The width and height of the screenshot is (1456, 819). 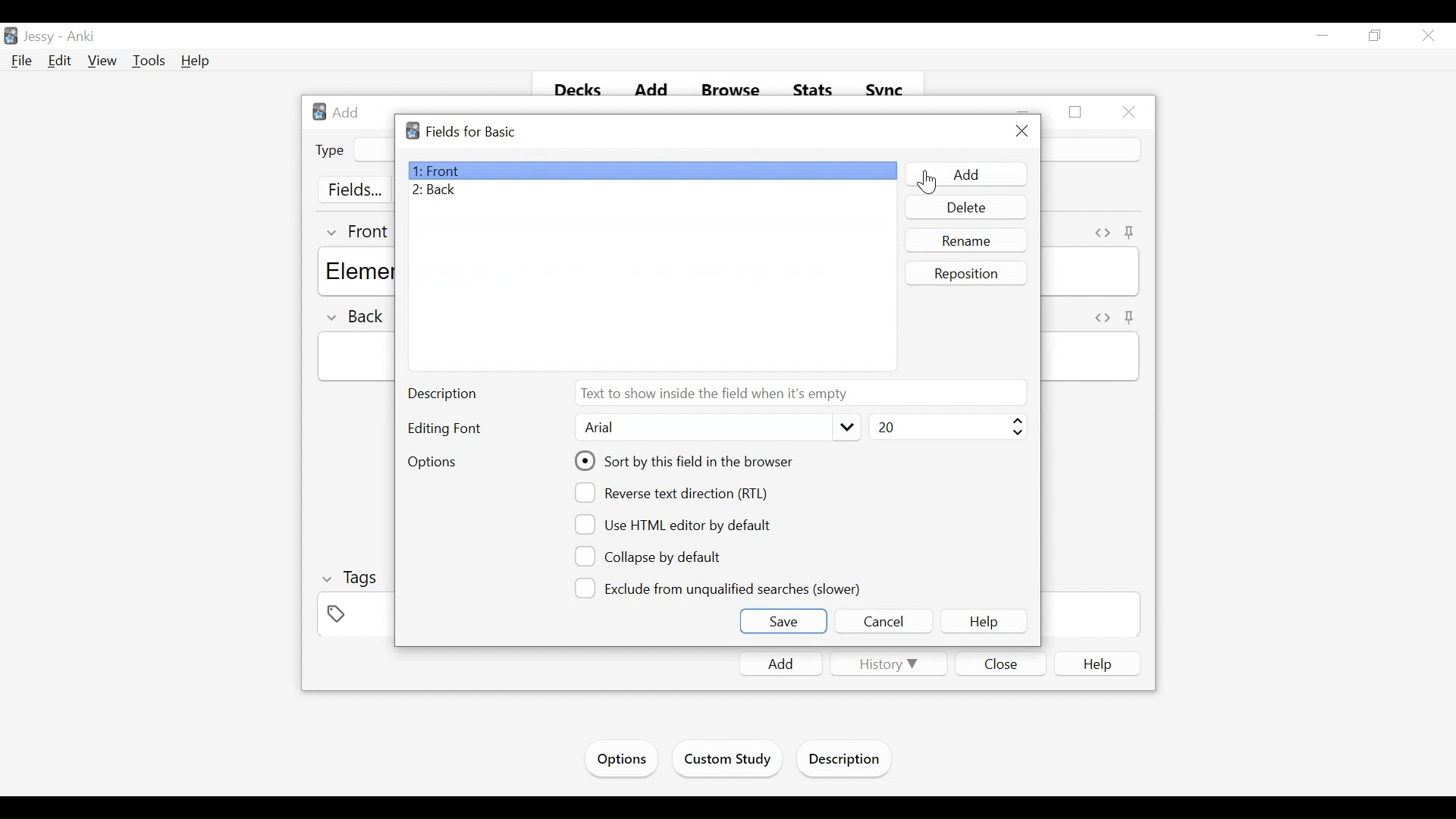 What do you see at coordinates (652, 190) in the screenshot?
I see `Bac` at bounding box center [652, 190].